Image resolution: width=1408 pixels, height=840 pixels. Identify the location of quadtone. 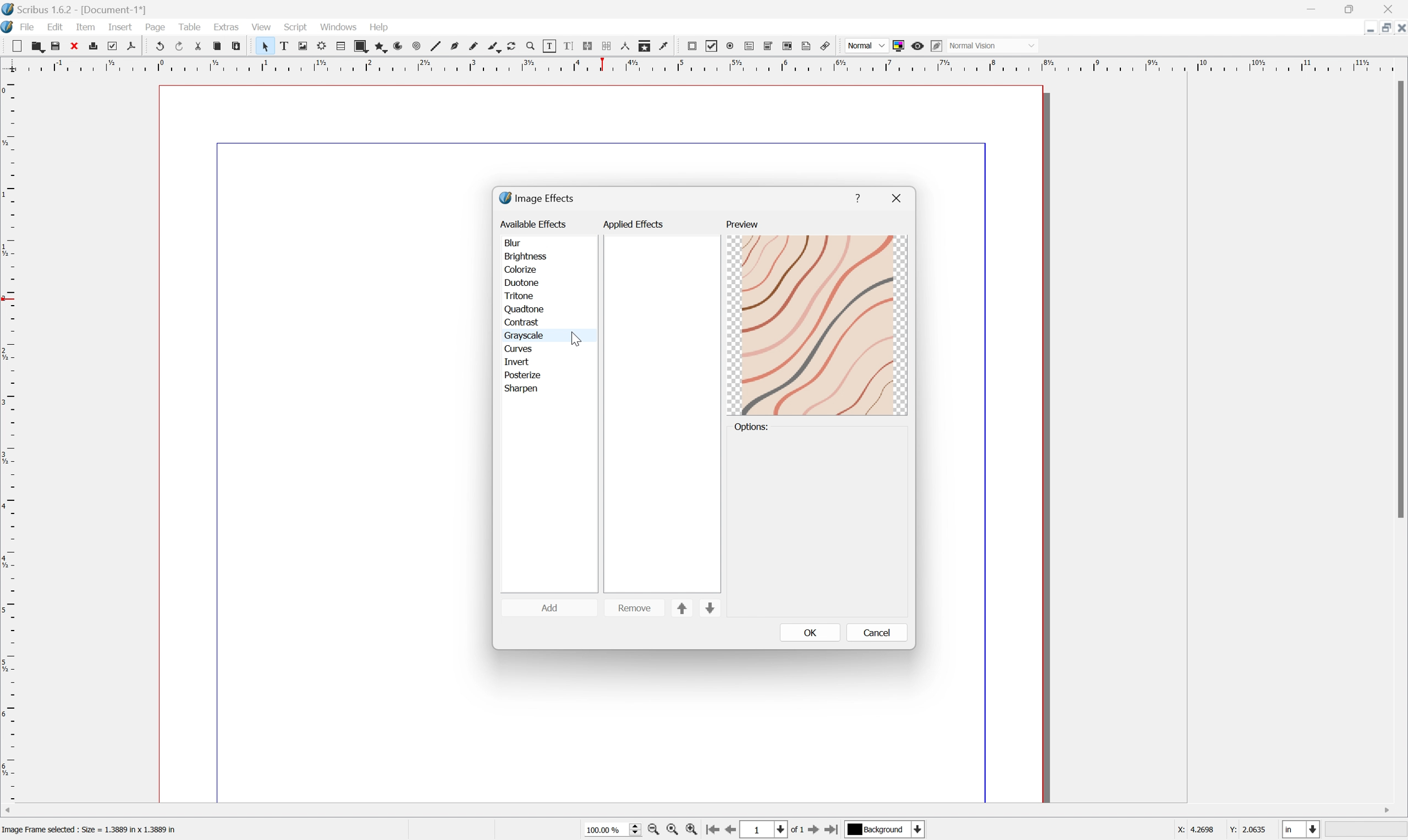
(525, 308).